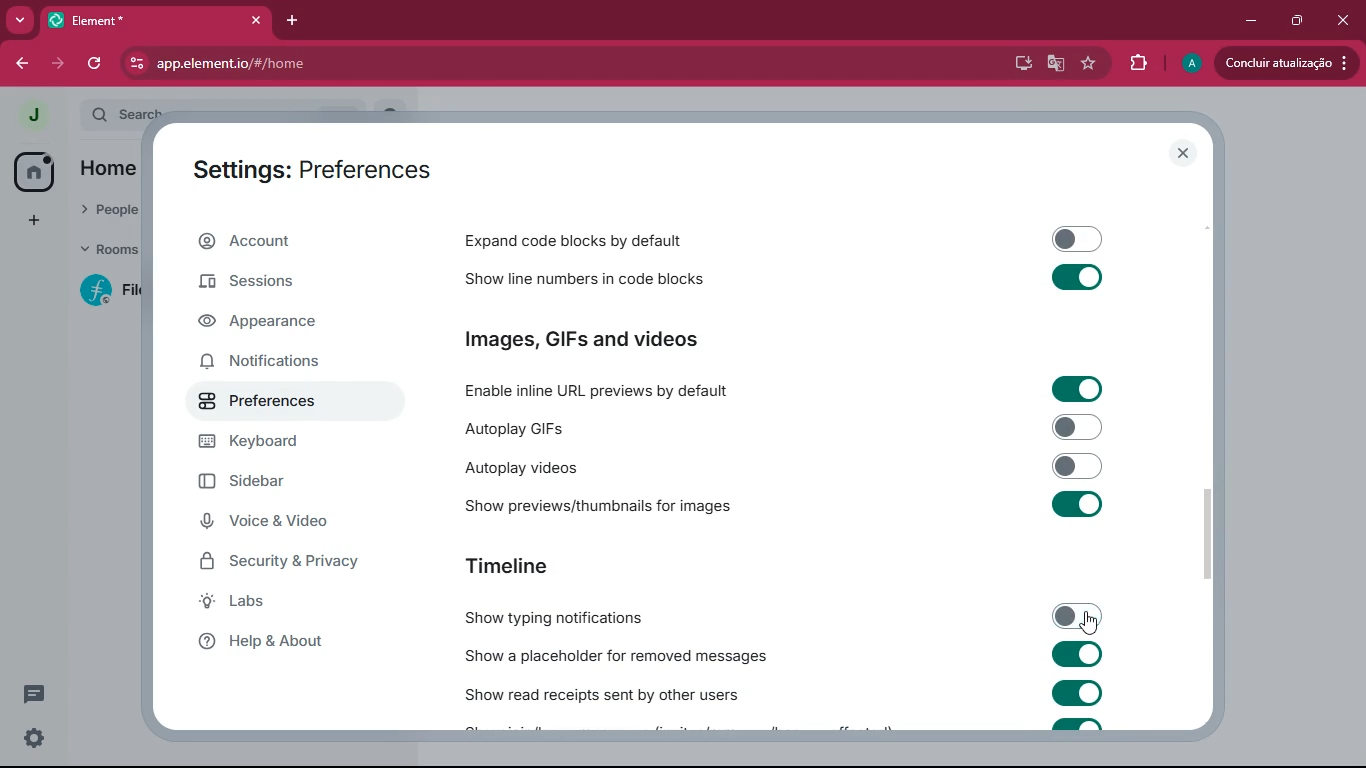 The height and width of the screenshot is (768, 1366). What do you see at coordinates (32, 173) in the screenshot?
I see `home` at bounding box center [32, 173].